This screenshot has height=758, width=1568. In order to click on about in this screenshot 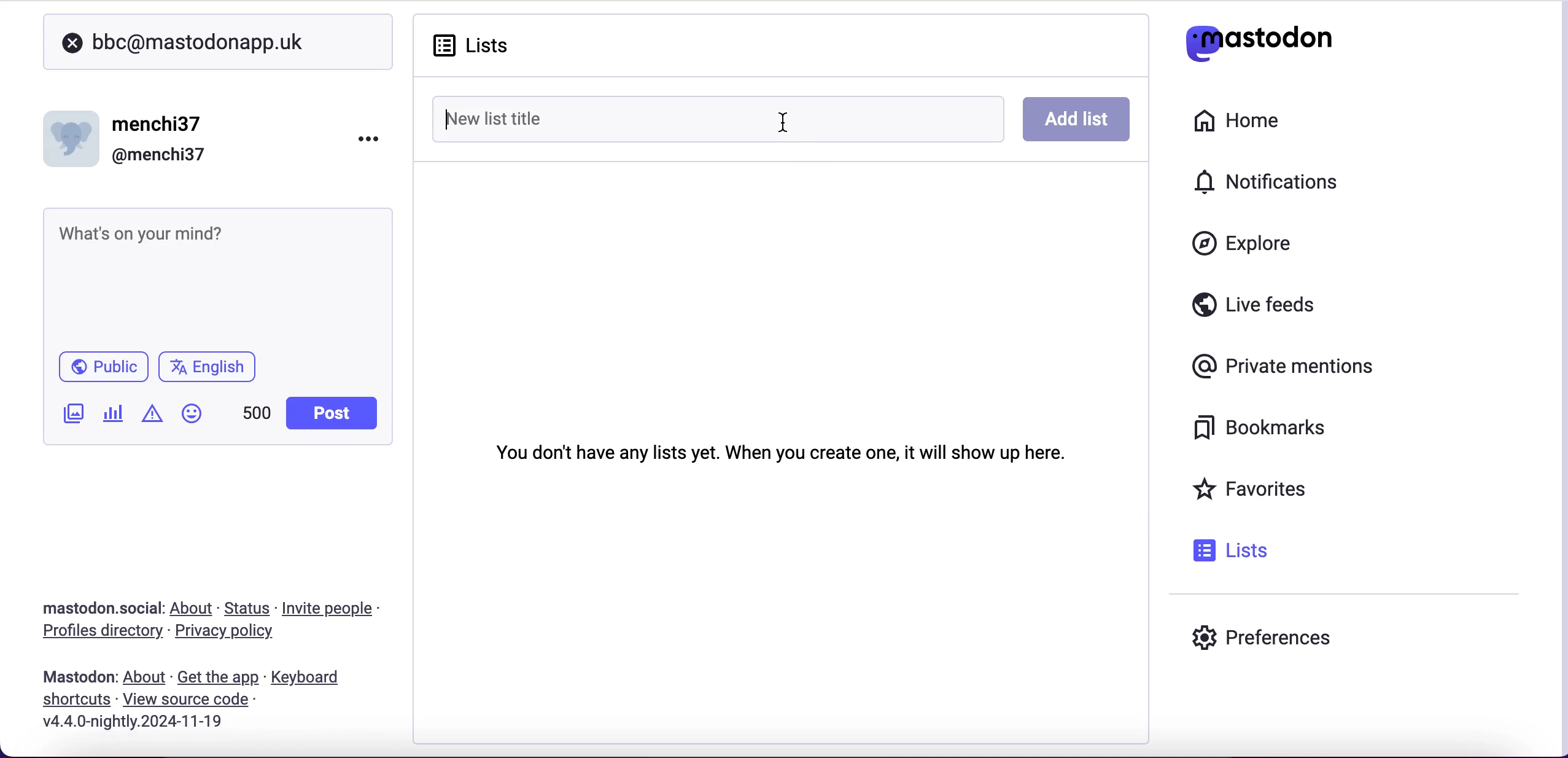, I will do `click(147, 678)`.